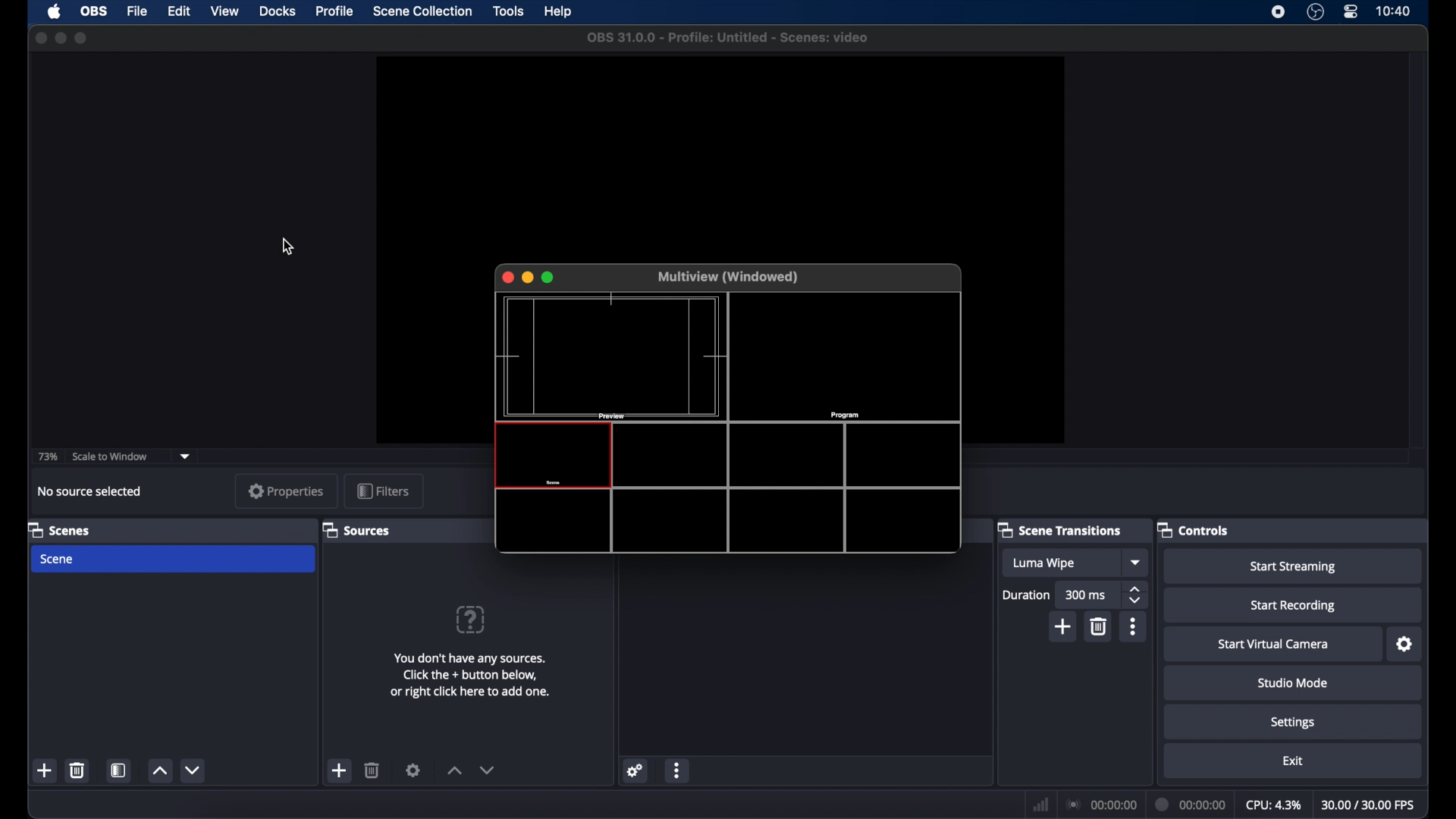 The image size is (1456, 819). Describe the element at coordinates (1316, 14) in the screenshot. I see `obs studio` at that location.